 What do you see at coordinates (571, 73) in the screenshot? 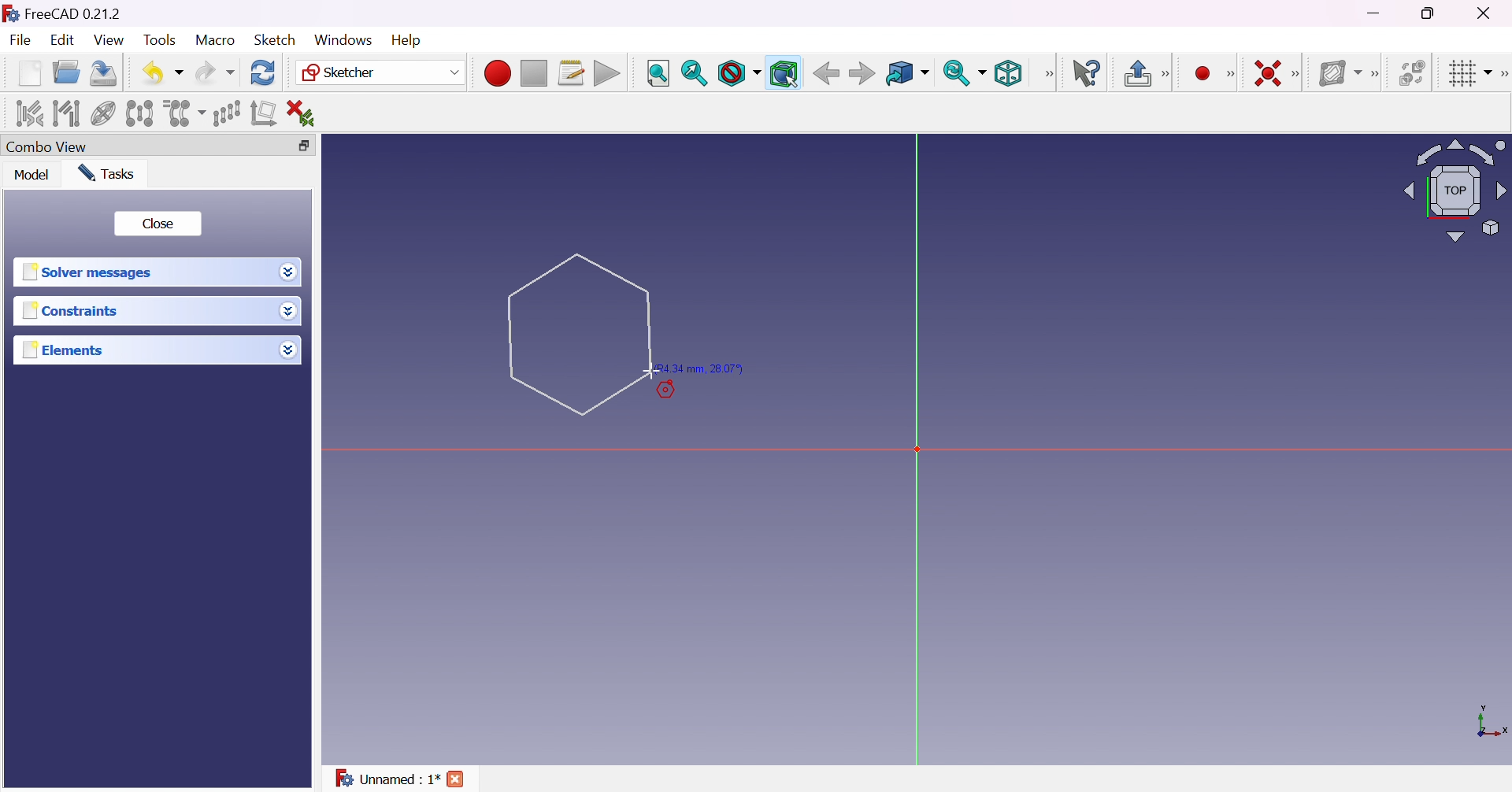
I see `Macros...` at bounding box center [571, 73].